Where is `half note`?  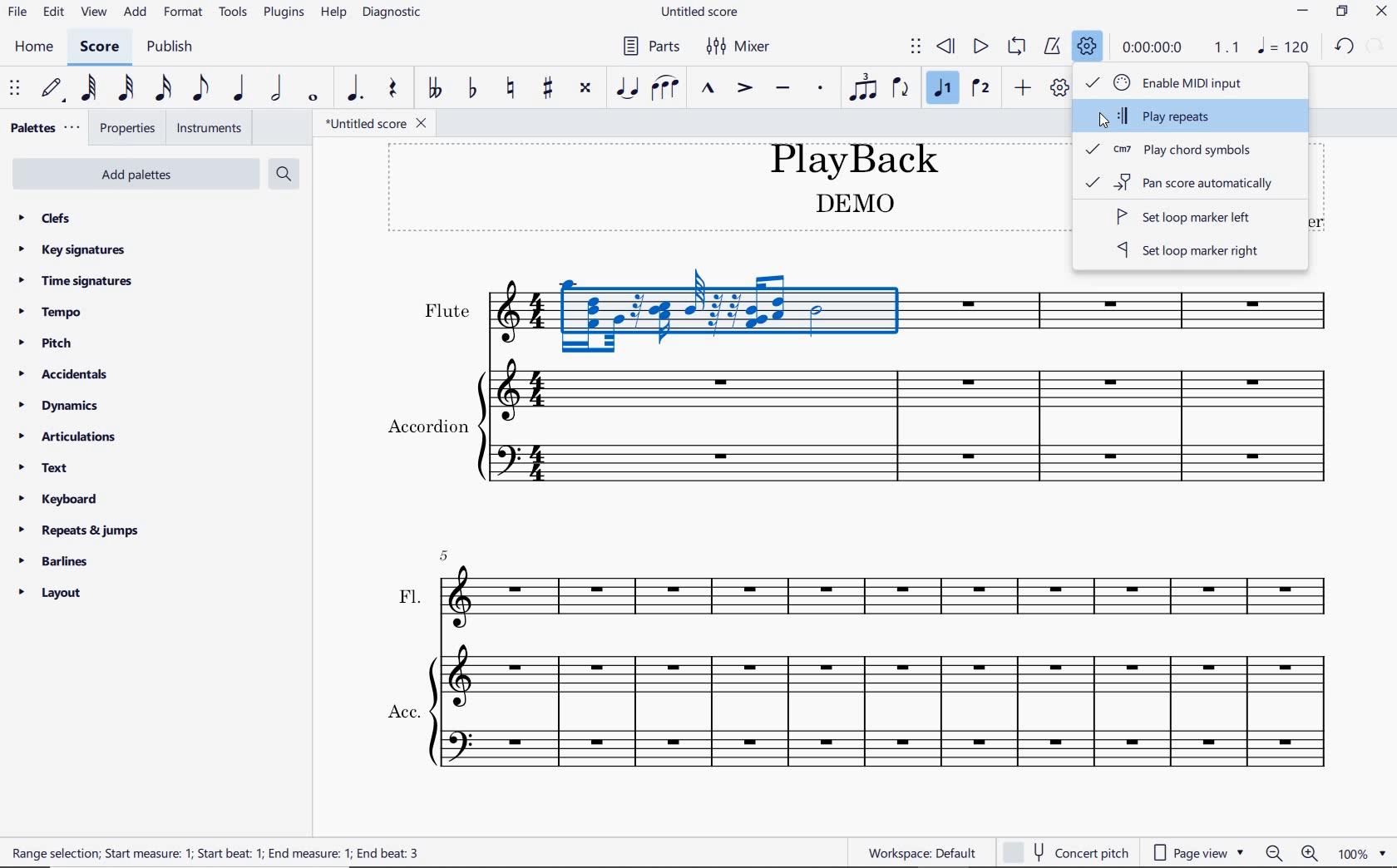 half note is located at coordinates (277, 89).